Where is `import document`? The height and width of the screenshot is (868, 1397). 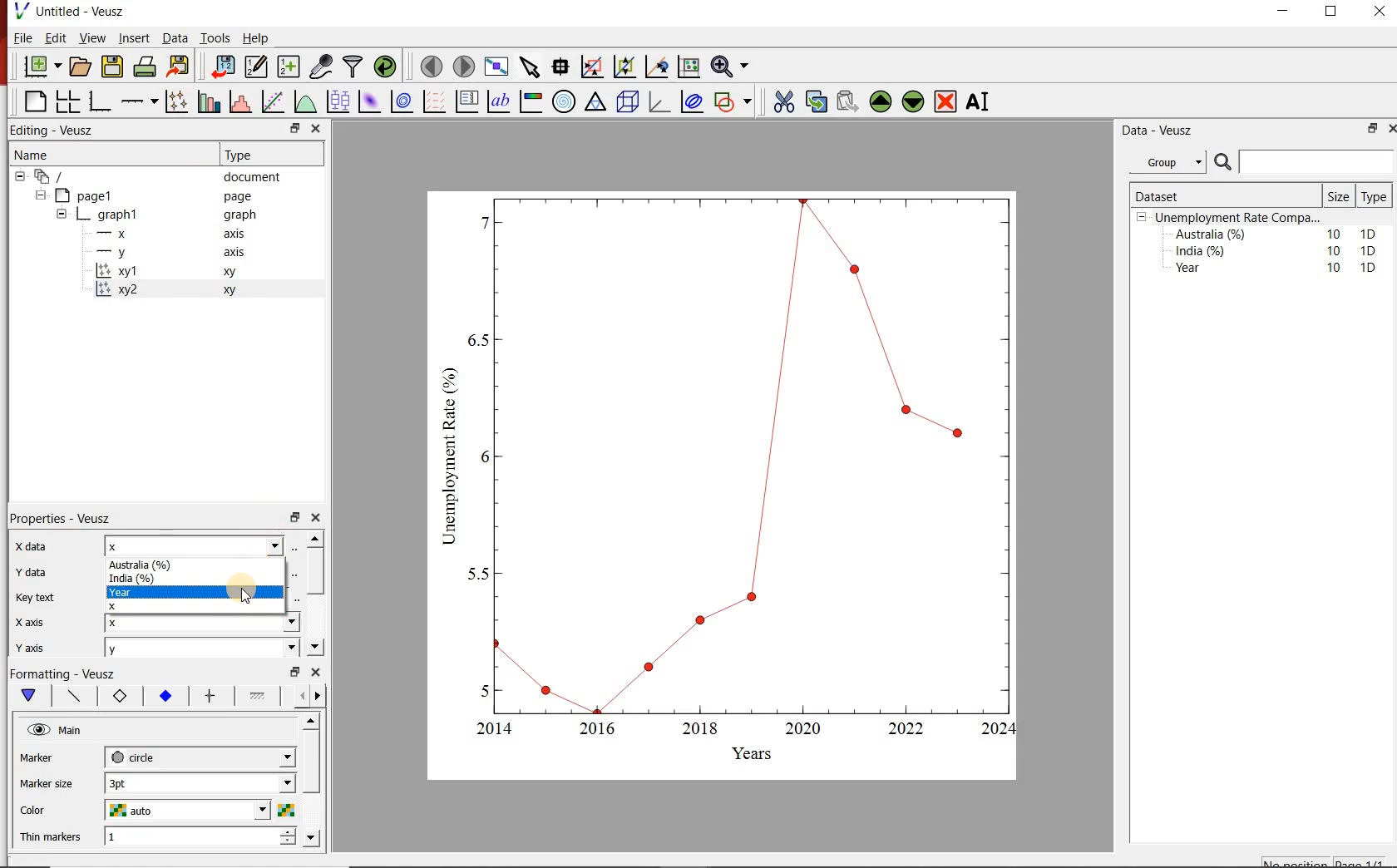 import document is located at coordinates (225, 65).